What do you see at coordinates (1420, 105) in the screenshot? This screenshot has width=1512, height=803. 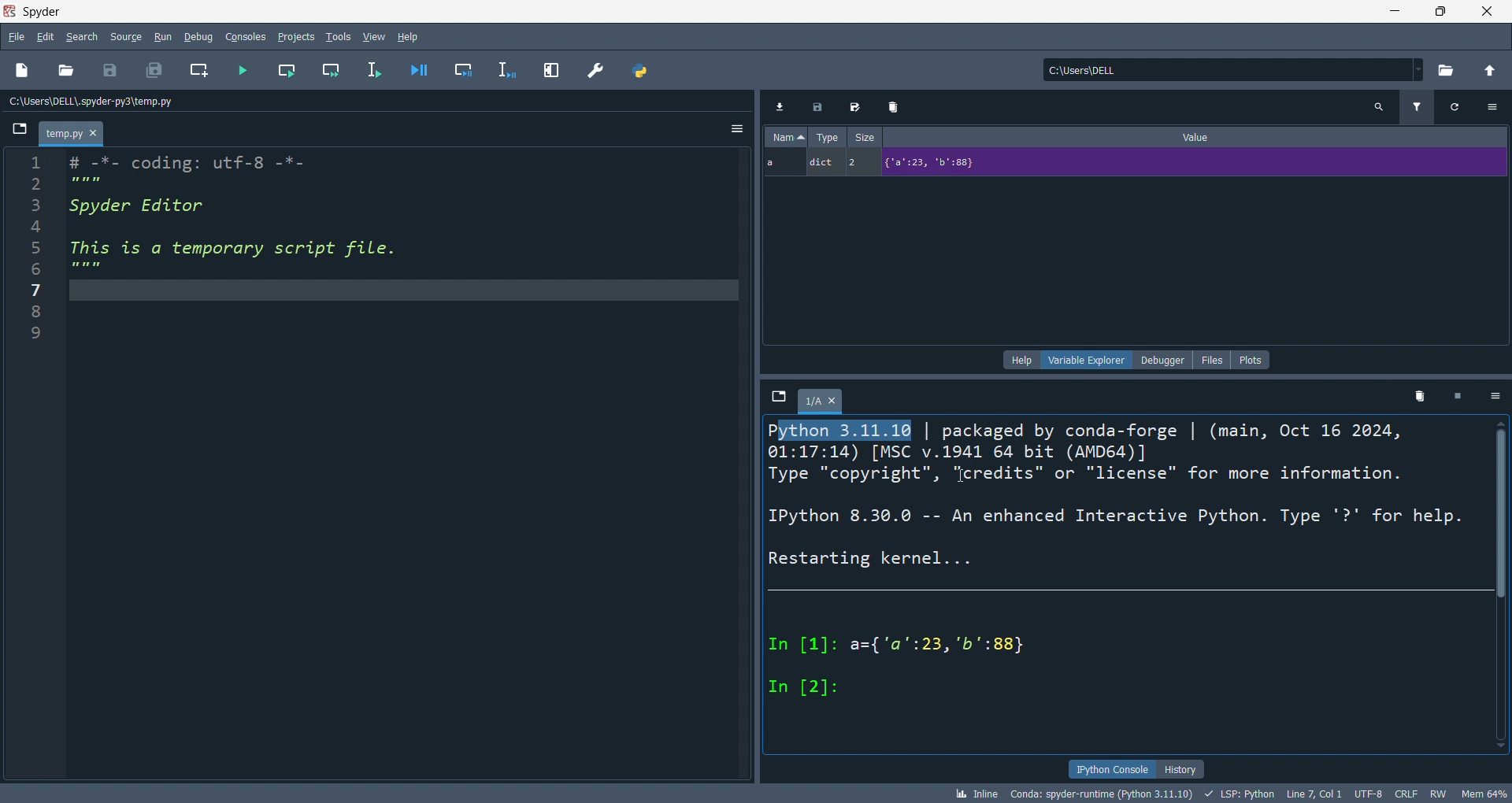 I see `filter` at bounding box center [1420, 105].